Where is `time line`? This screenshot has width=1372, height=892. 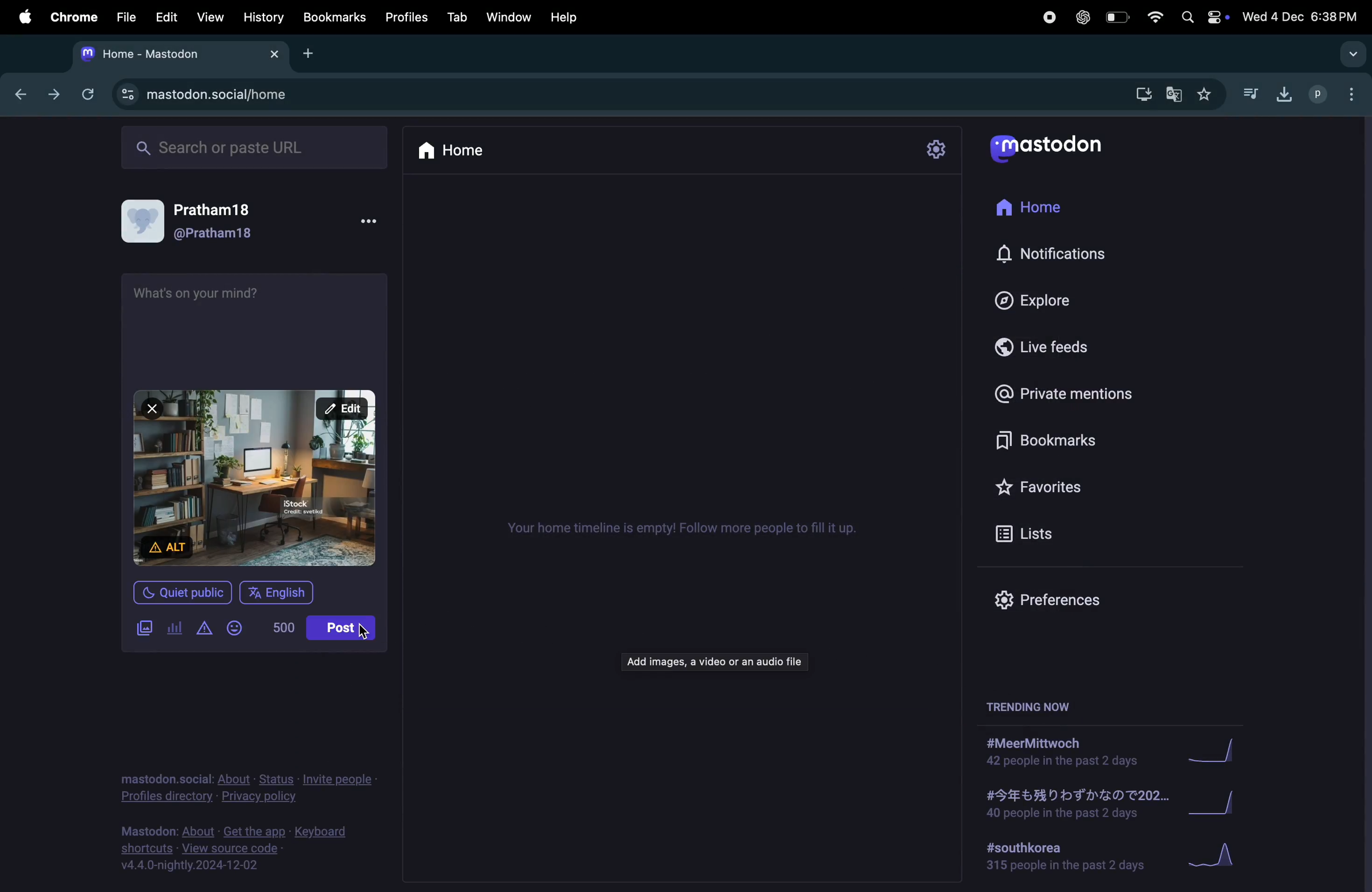 time line is located at coordinates (683, 526).